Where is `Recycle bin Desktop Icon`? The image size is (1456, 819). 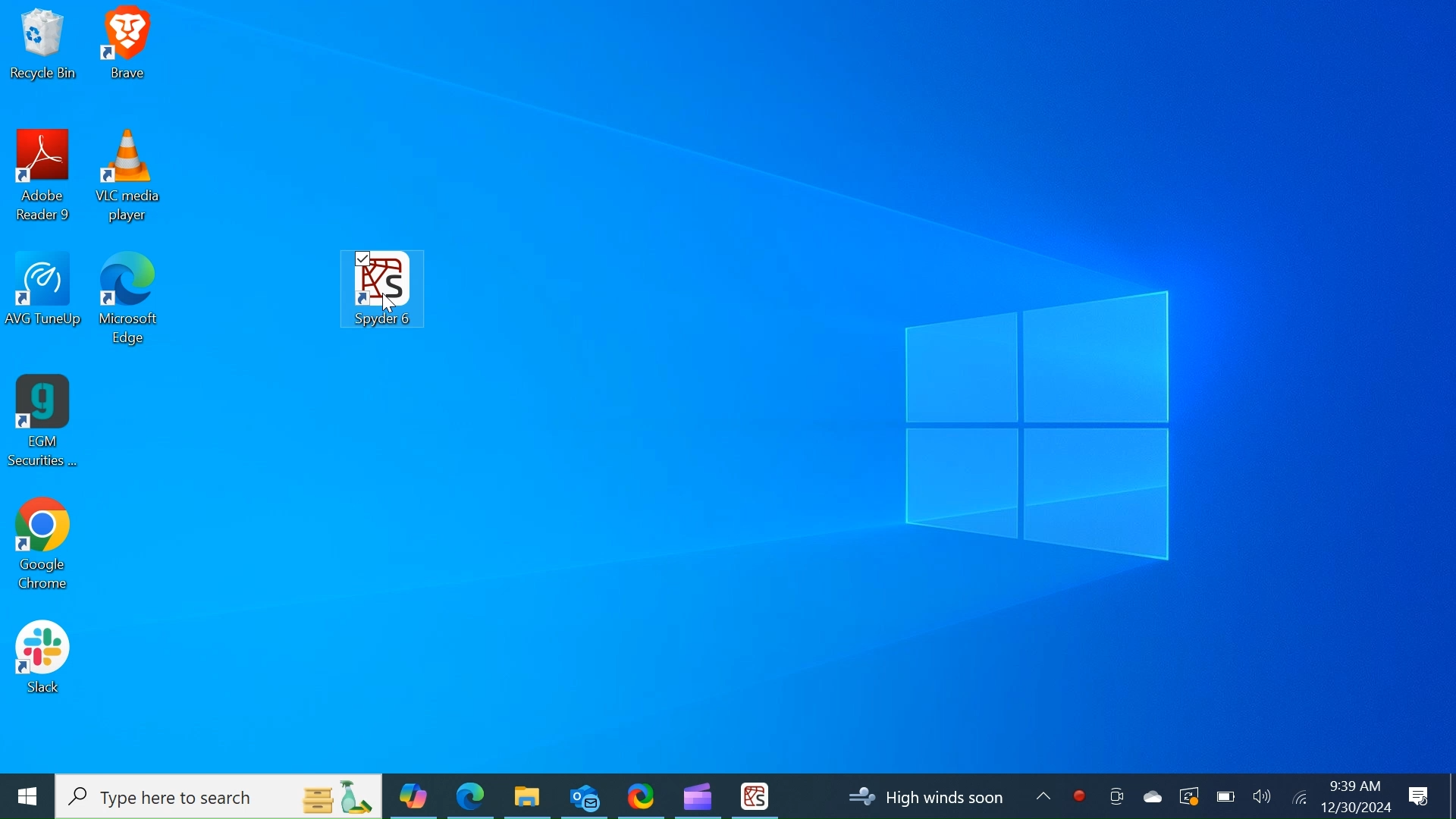 Recycle bin Desktop Icon is located at coordinates (42, 46).